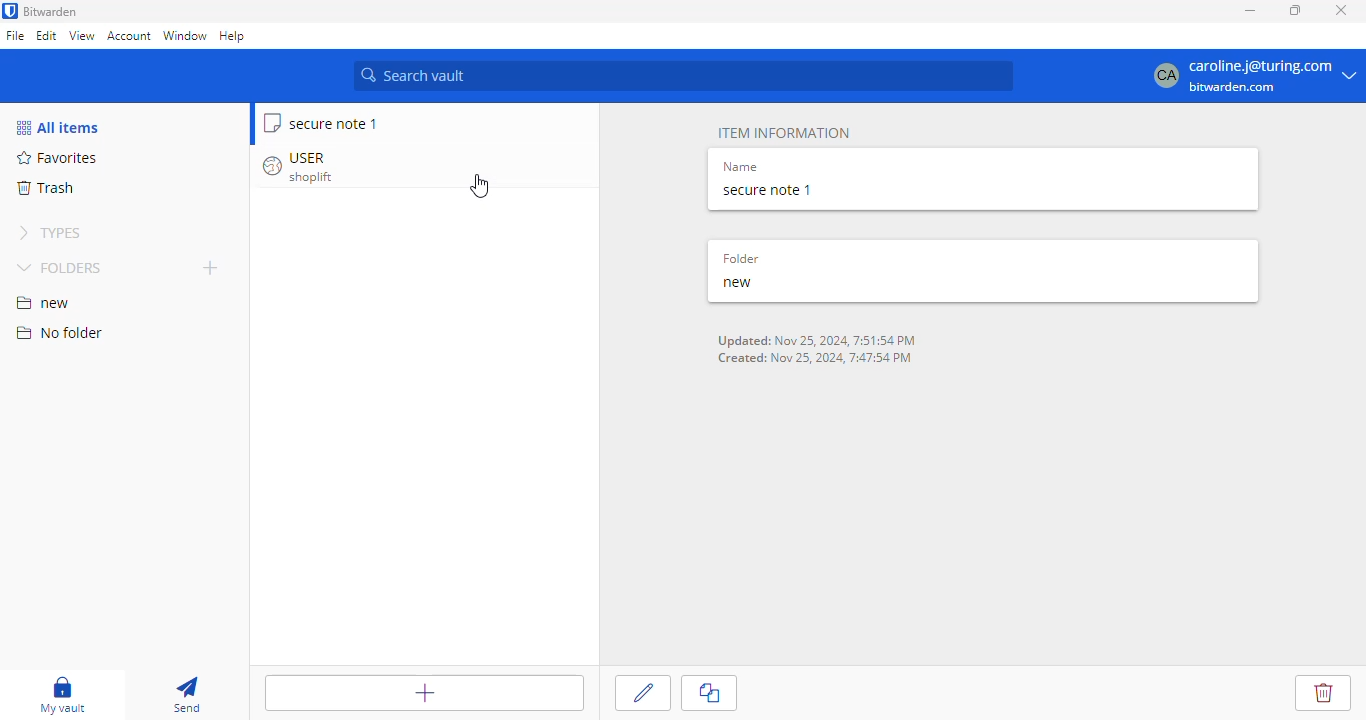  I want to click on new, so click(44, 303).